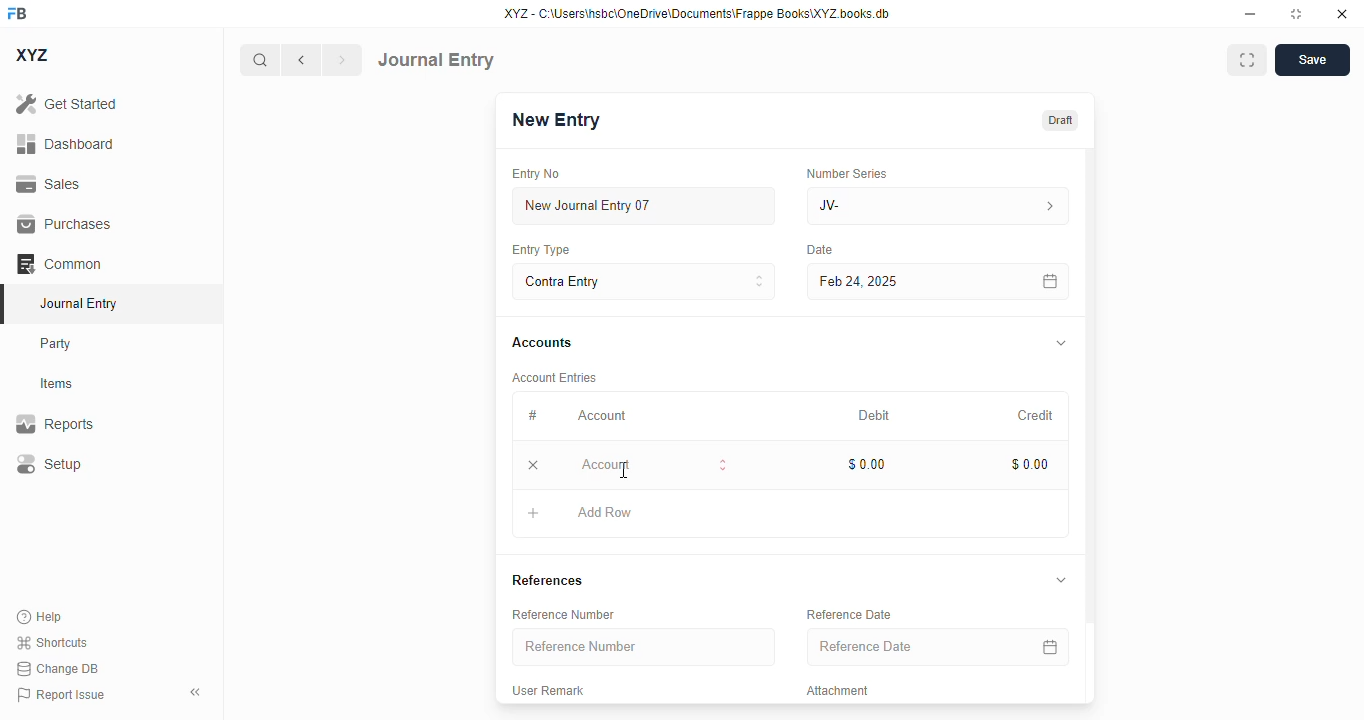 Image resolution: width=1364 pixels, height=720 pixels. What do you see at coordinates (80, 303) in the screenshot?
I see `journal entry` at bounding box center [80, 303].